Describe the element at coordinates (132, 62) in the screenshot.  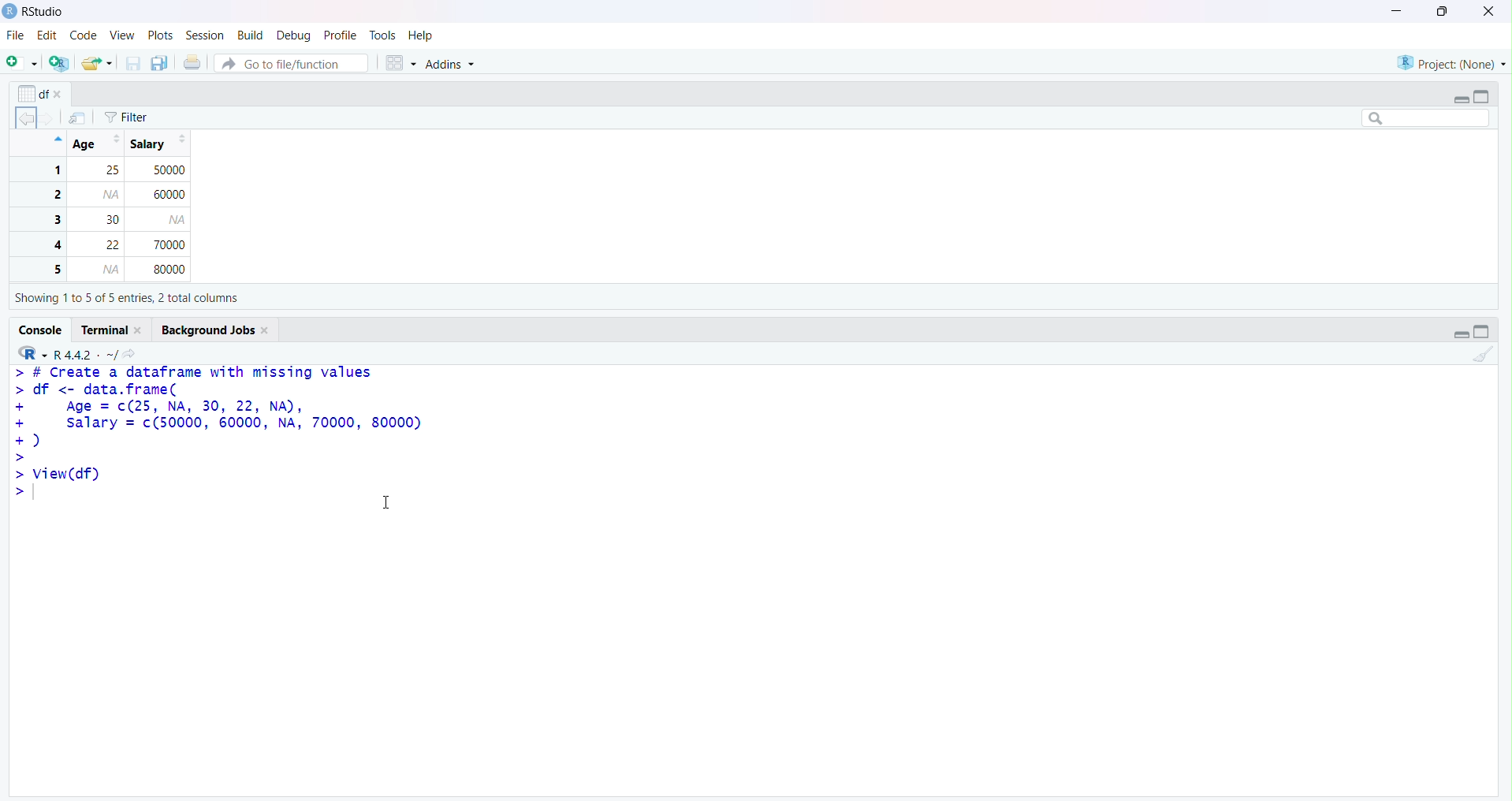
I see `Save current document (Ctrl + S)` at that location.